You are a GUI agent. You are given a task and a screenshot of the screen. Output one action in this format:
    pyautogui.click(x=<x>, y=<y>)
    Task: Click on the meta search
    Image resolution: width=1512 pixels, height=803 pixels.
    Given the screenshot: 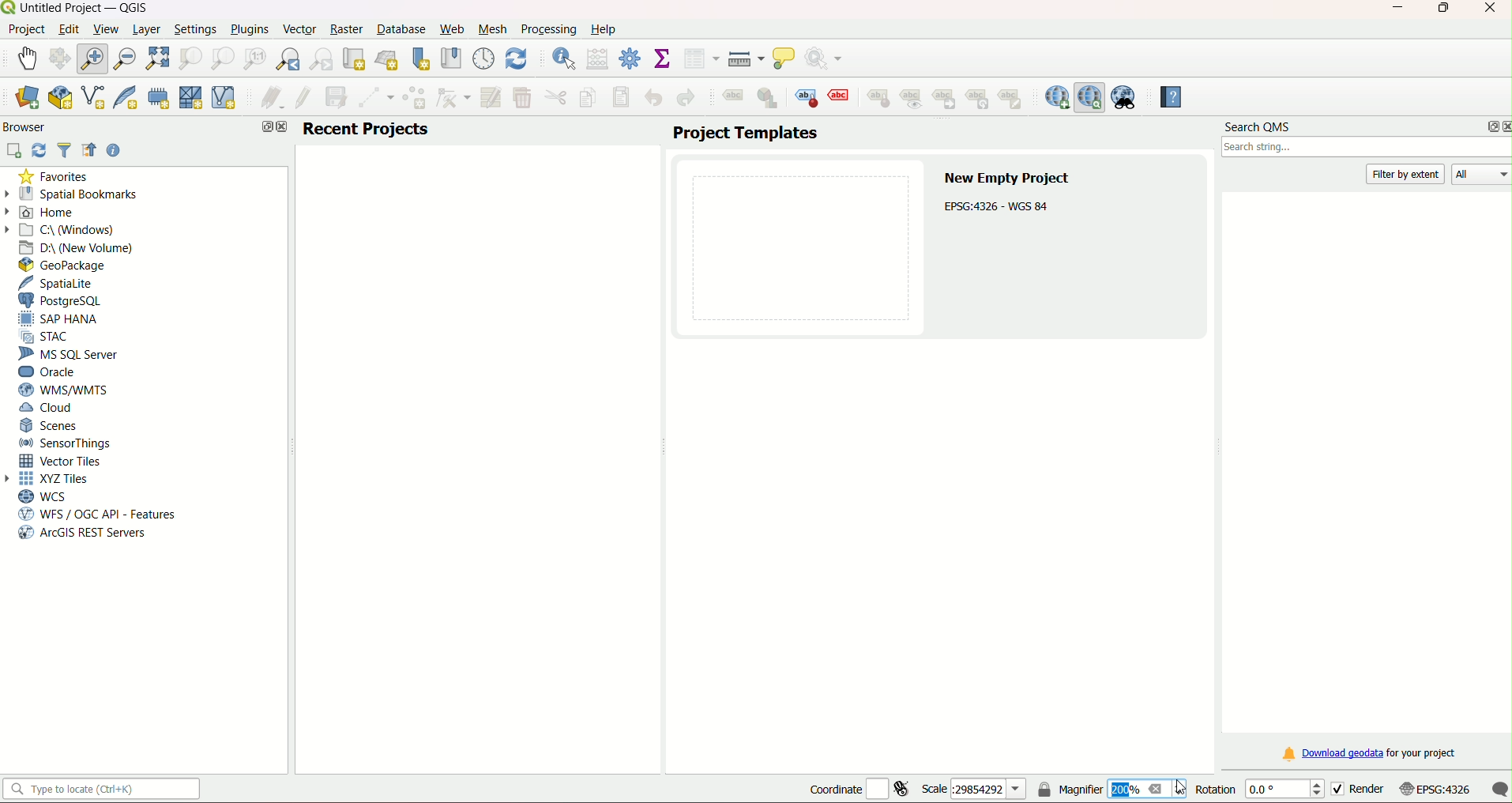 What is the action you would take?
    pyautogui.click(x=1125, y=97)
    